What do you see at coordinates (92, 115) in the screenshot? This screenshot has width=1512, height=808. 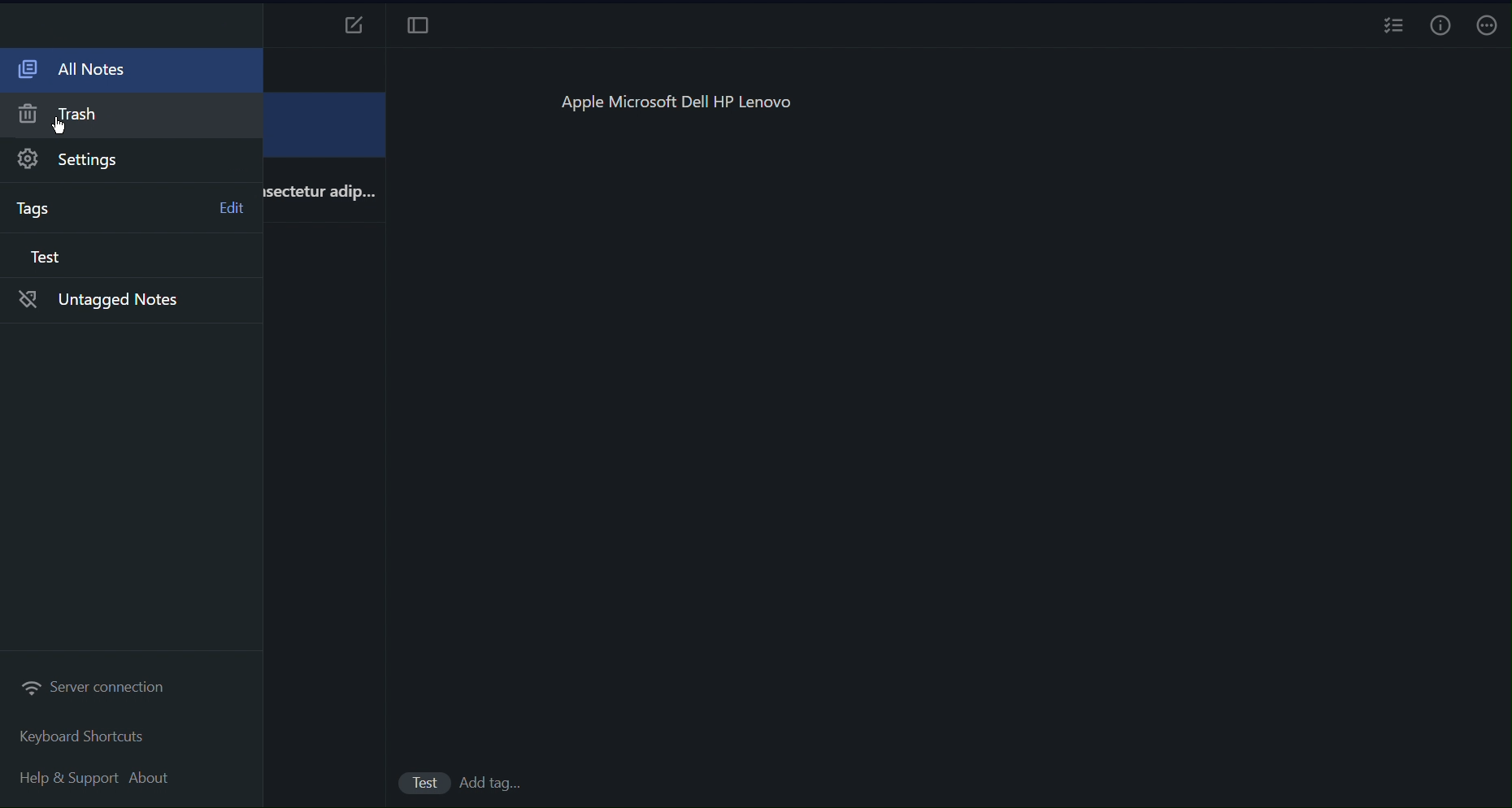 I see `Trash` at bounding box center [92, 115].